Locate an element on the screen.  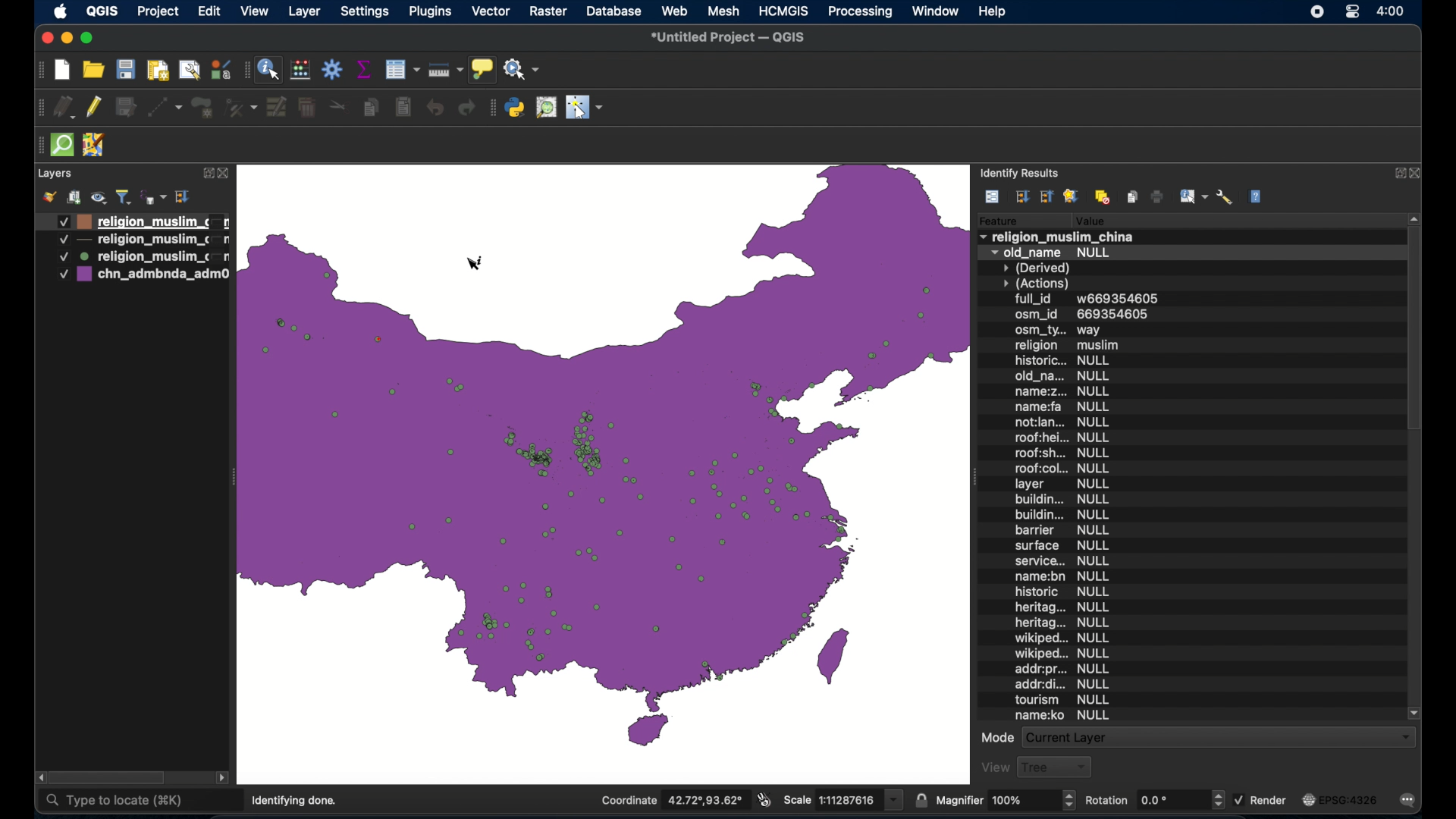
drag handle is located at coordinates (38, 144).